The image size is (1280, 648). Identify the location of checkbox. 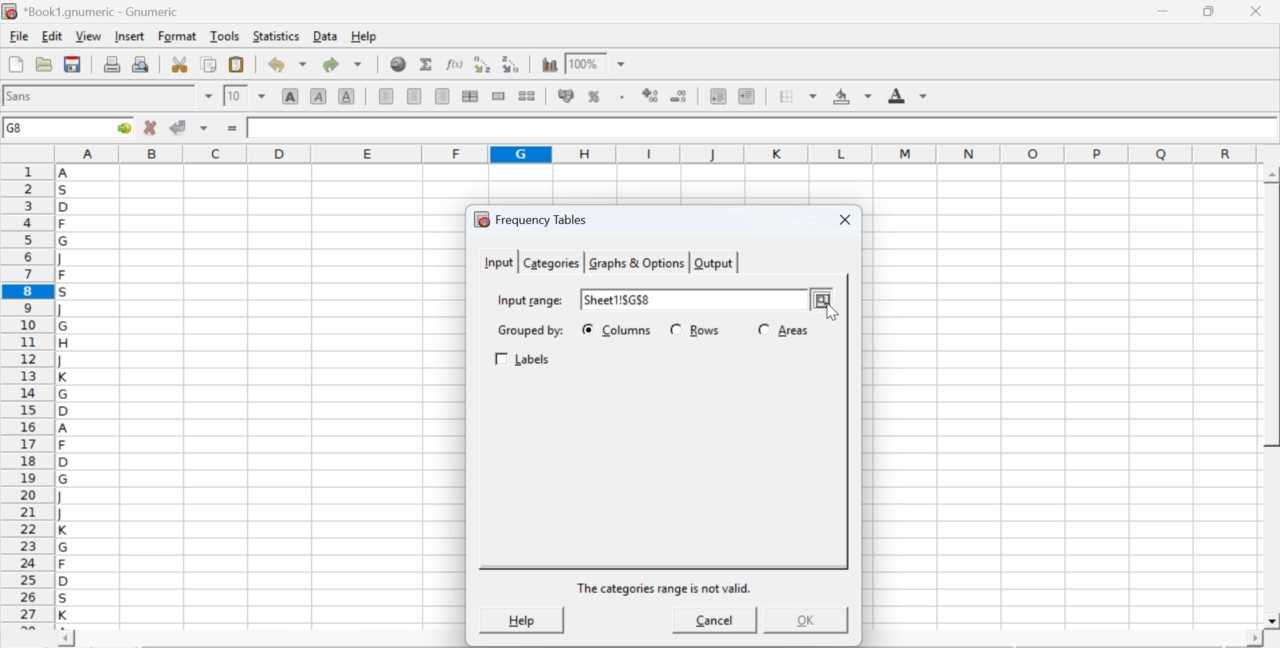
(764, 328).